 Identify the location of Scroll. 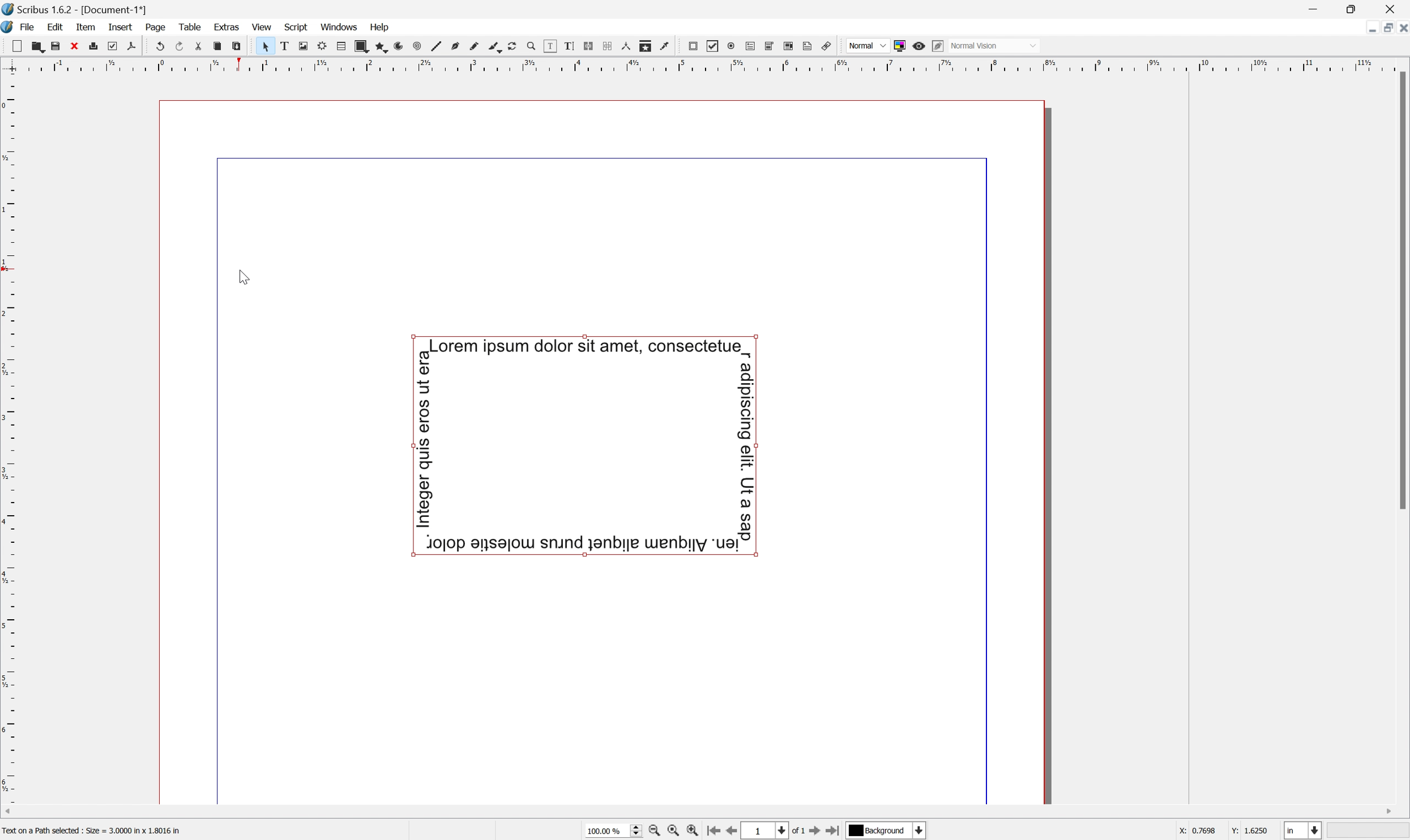
(700, 813).